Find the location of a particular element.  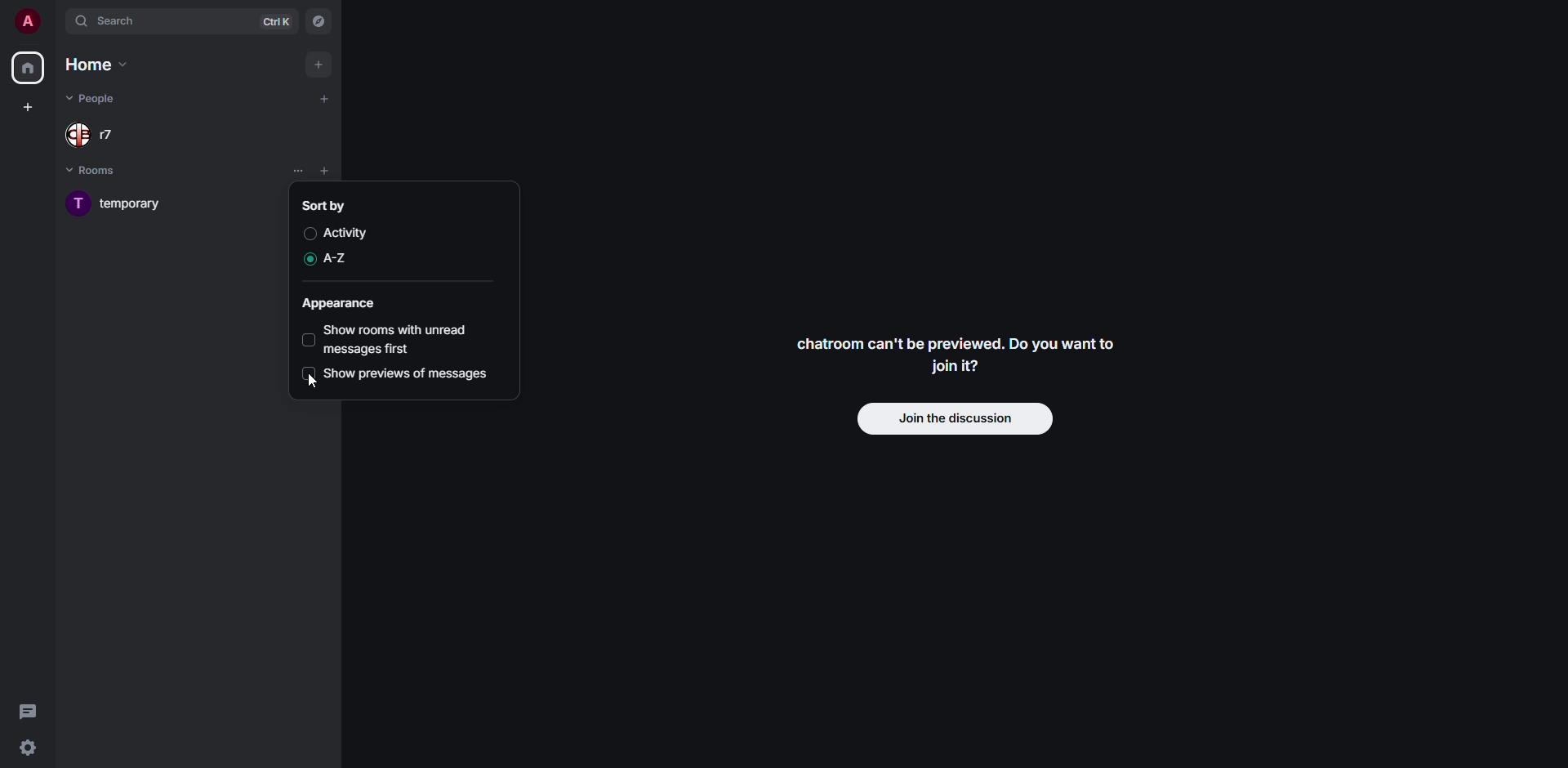

join discussion is located at coordinates (953, 417).